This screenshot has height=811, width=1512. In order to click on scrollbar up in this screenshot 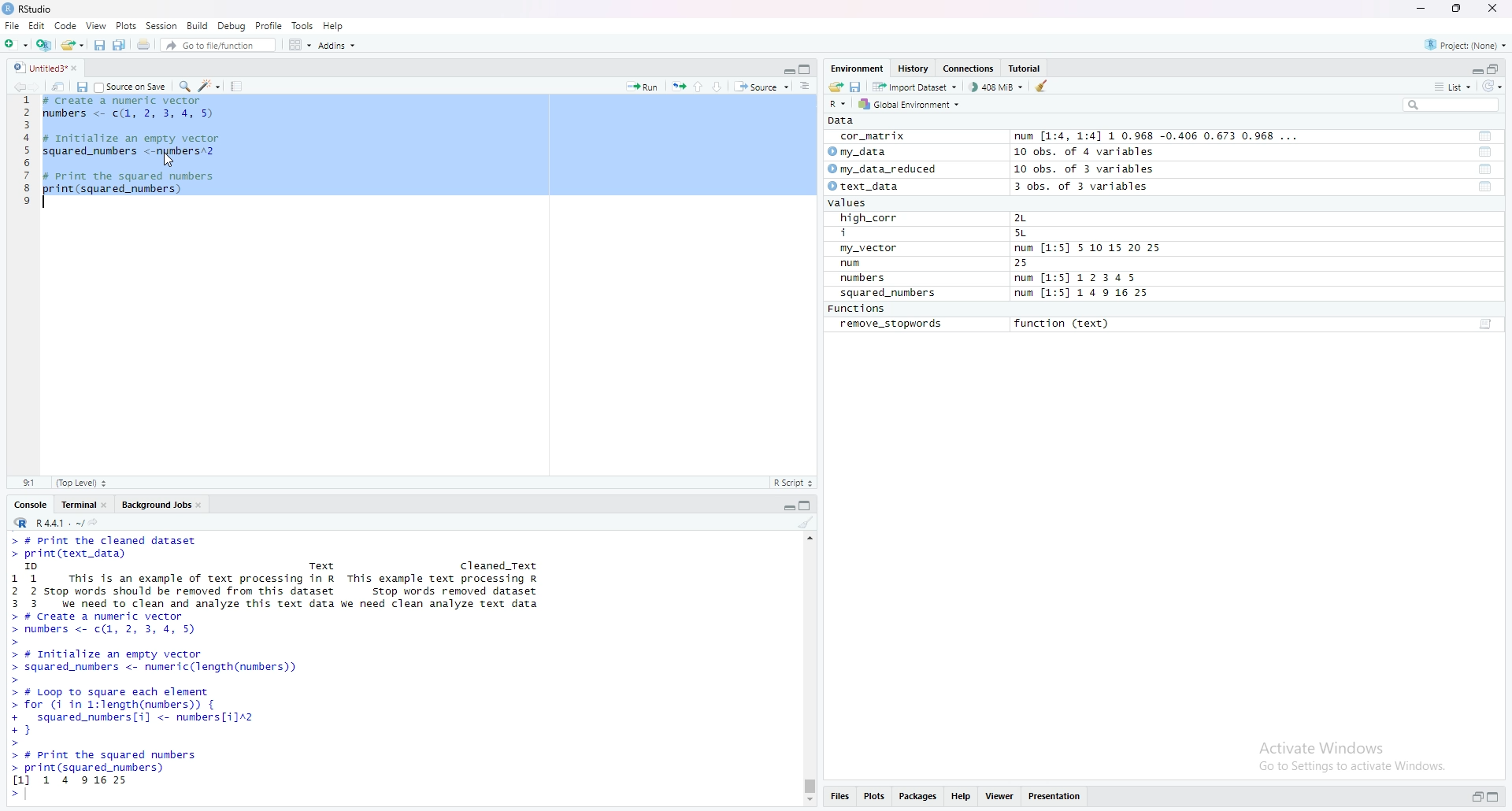, I will do `click(808, 536)`.